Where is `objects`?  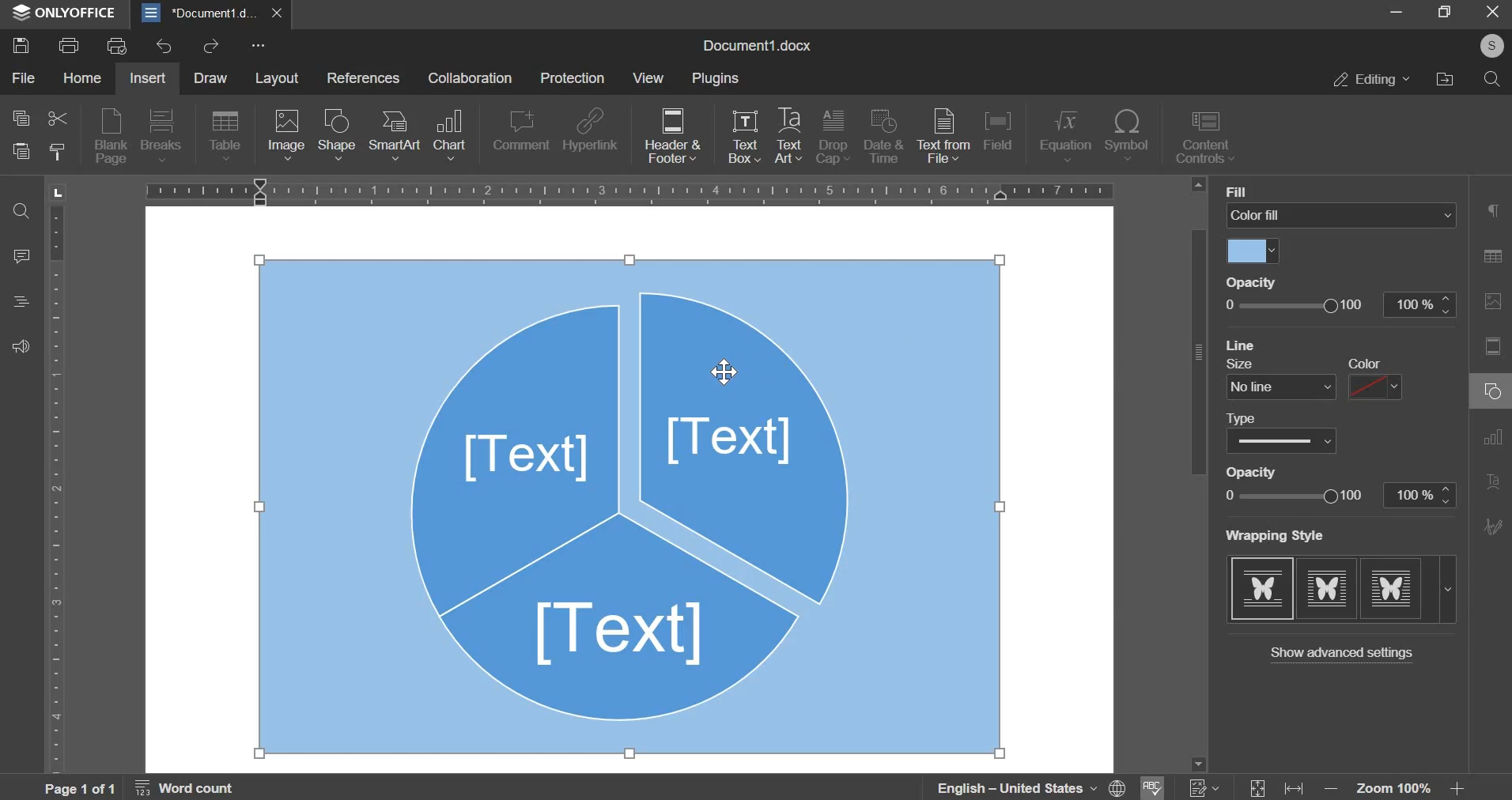
objects is located at coordinates (629, 505).